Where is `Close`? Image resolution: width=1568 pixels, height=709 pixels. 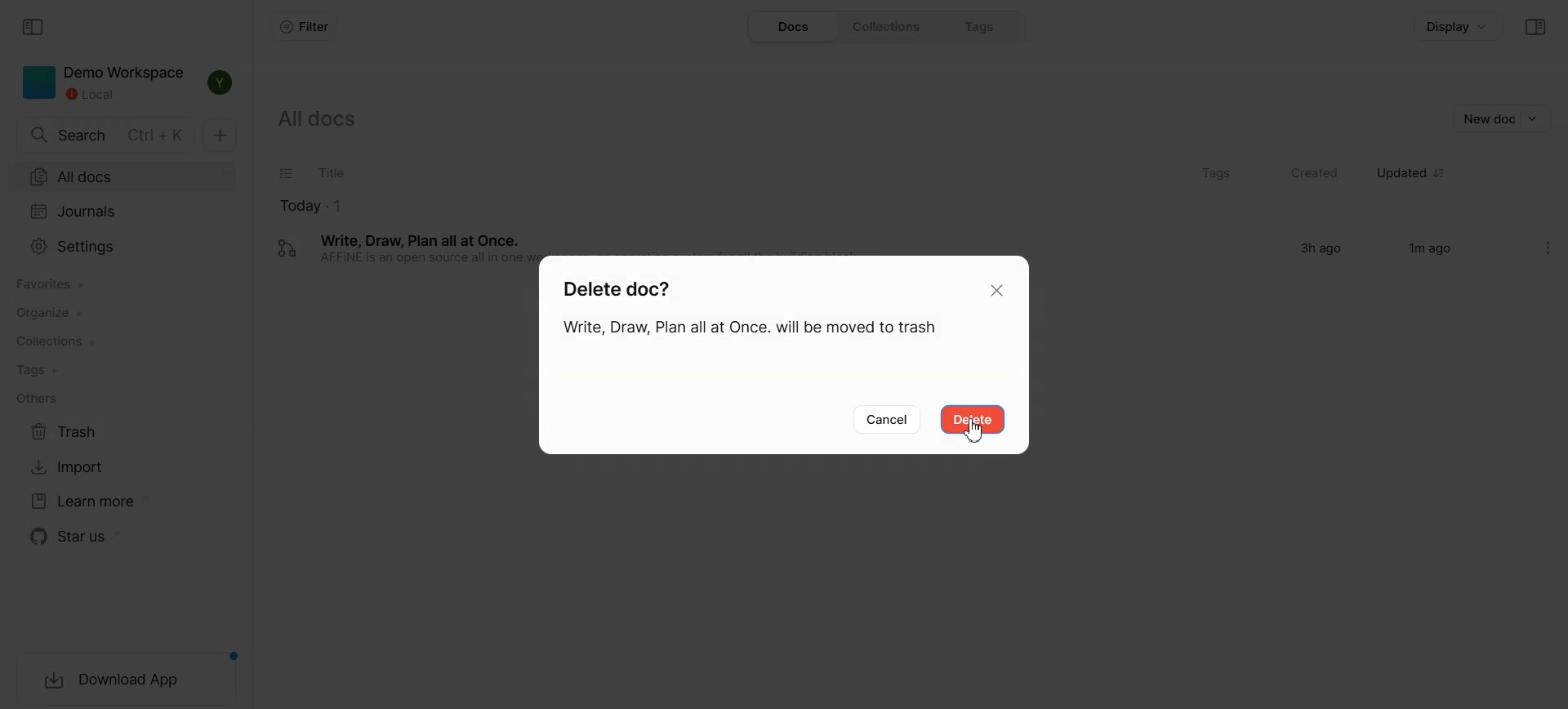
Close is located at coordinates (1000, 290).